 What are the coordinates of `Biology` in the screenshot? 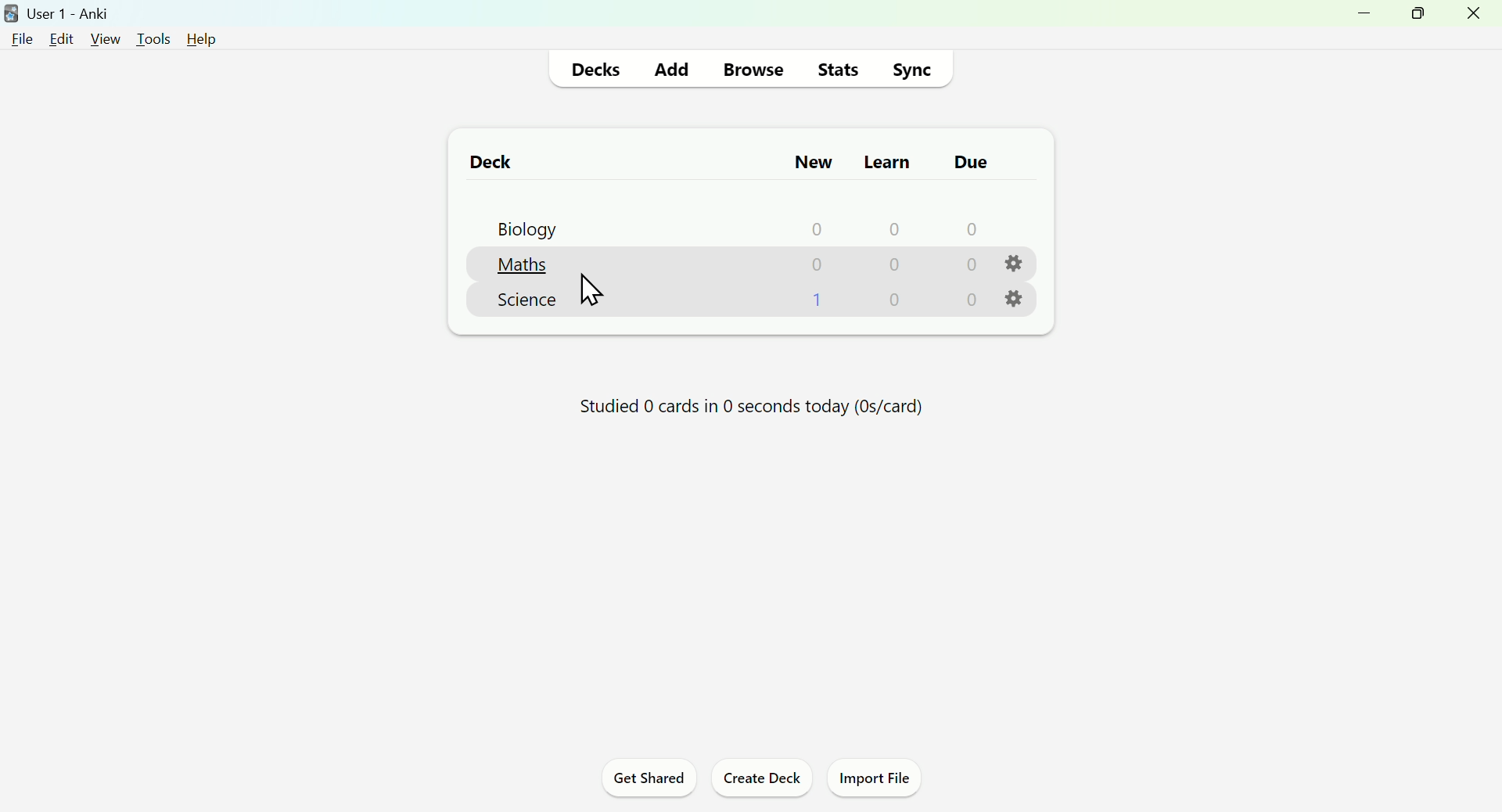 It's located at (522, 228).